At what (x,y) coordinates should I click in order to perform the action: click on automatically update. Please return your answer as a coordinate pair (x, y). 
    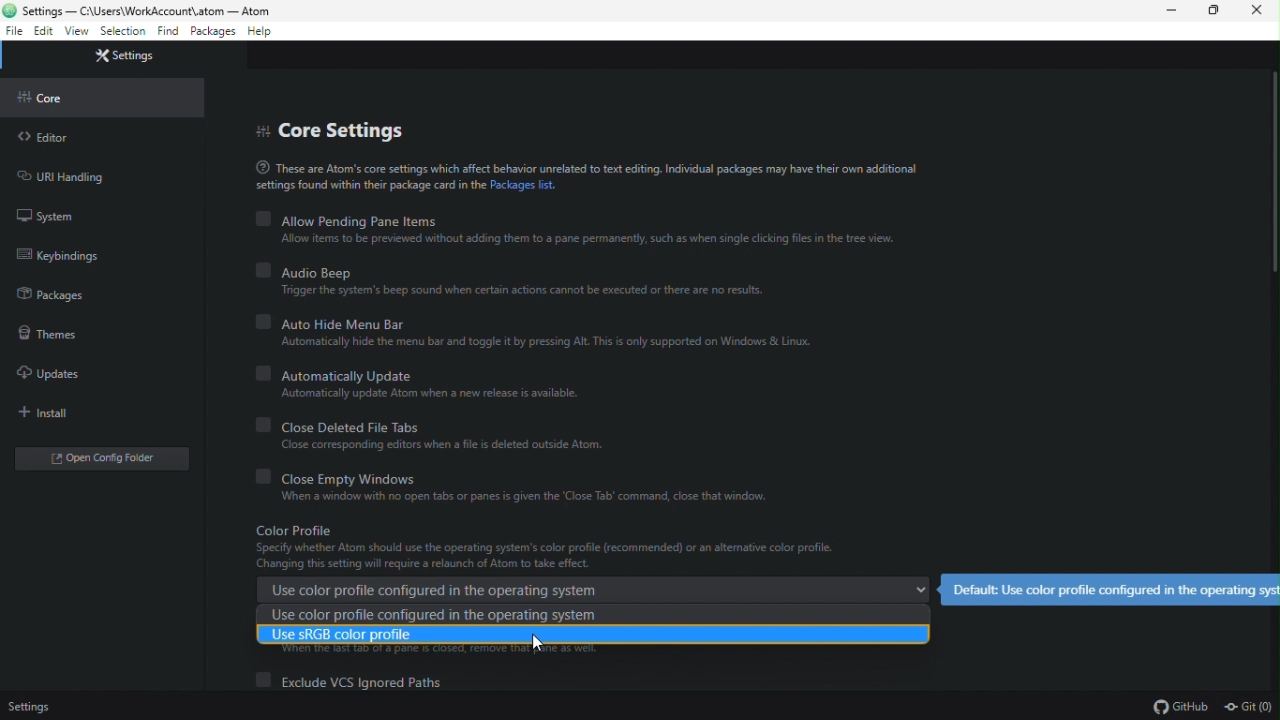
    Looking at the image, I should click on (429, 385).